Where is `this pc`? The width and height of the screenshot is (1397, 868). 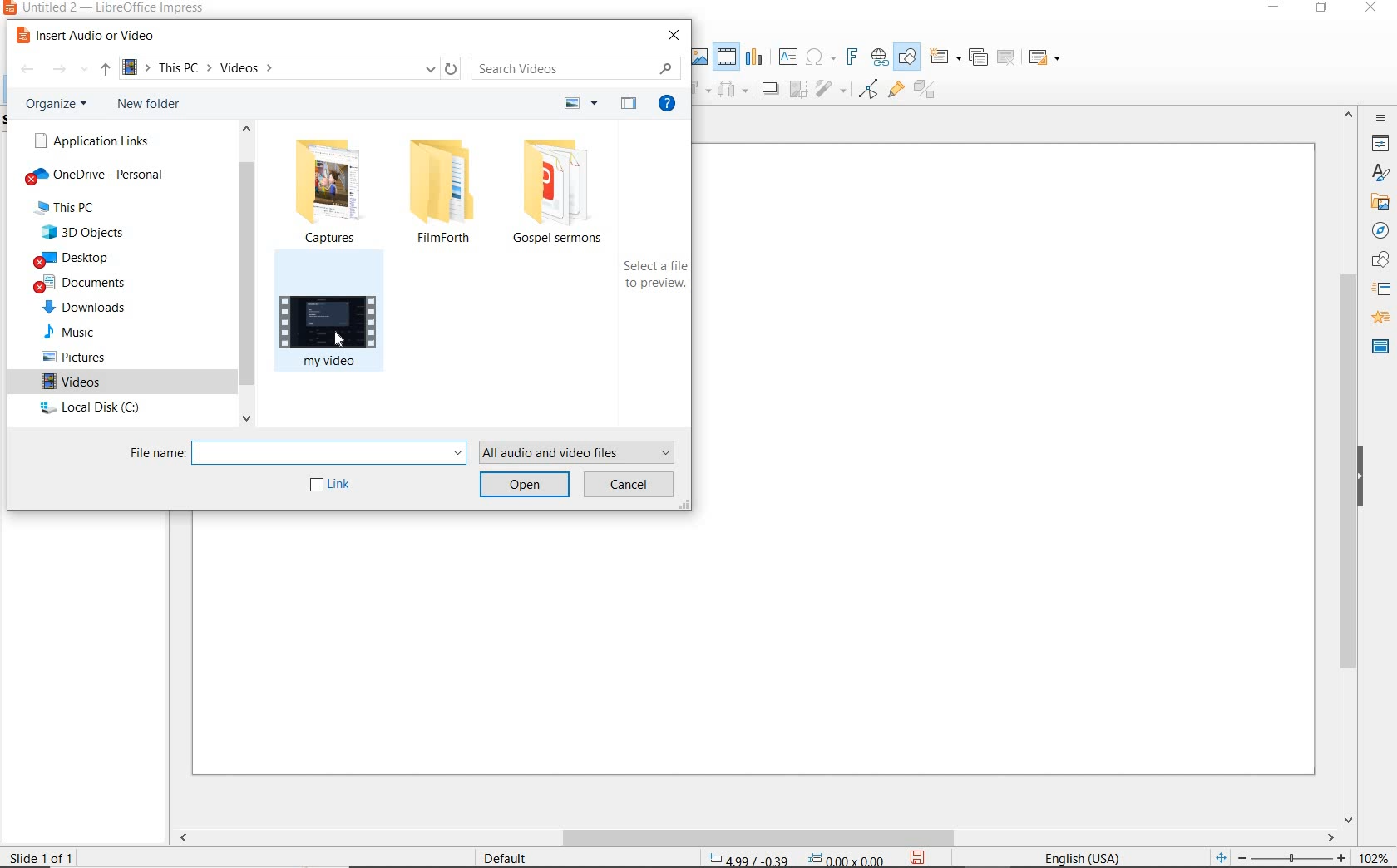 this pc is located at coordinates (66, 207).